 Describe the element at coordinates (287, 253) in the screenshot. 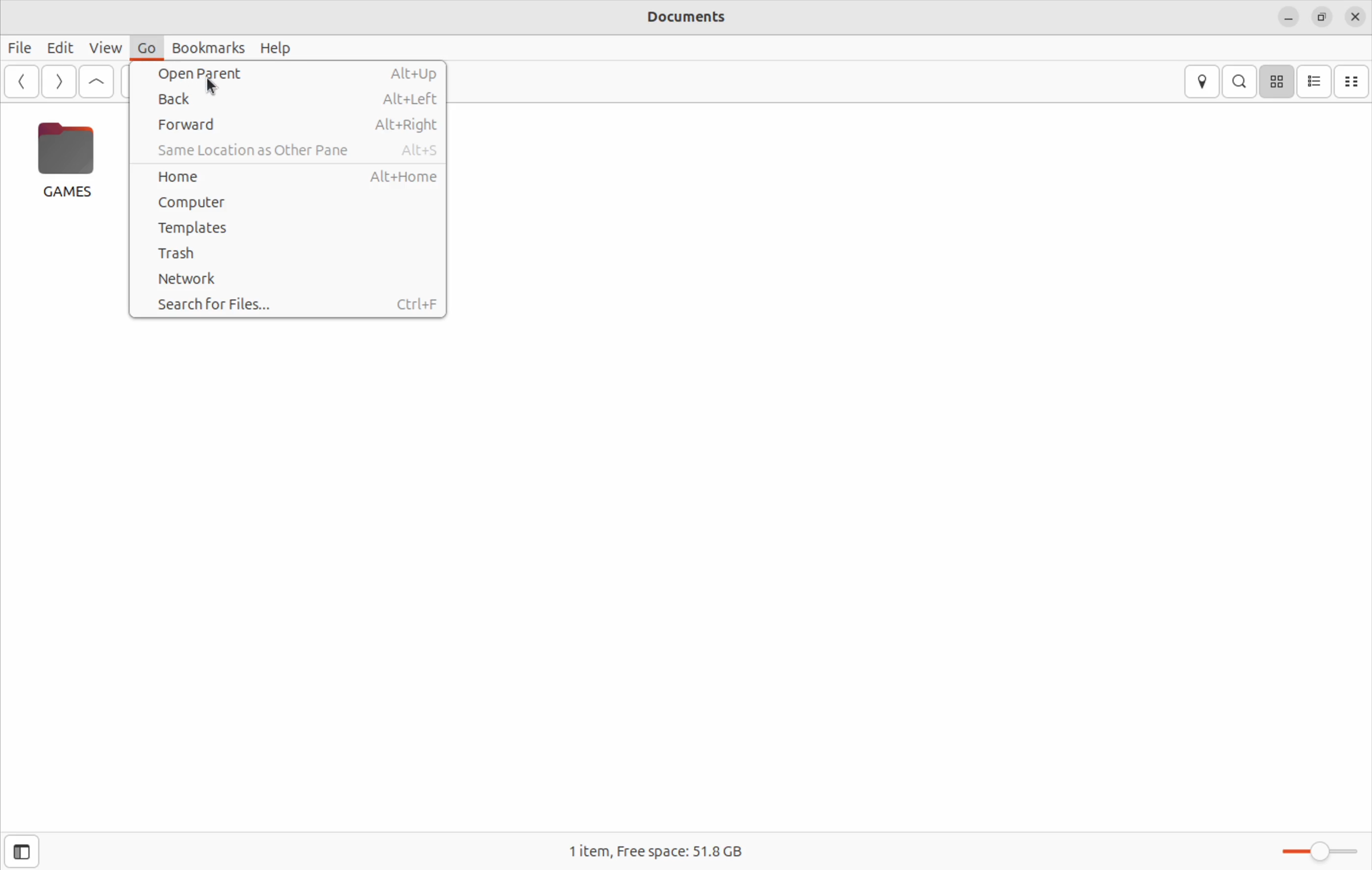

I see `trash` at that location.